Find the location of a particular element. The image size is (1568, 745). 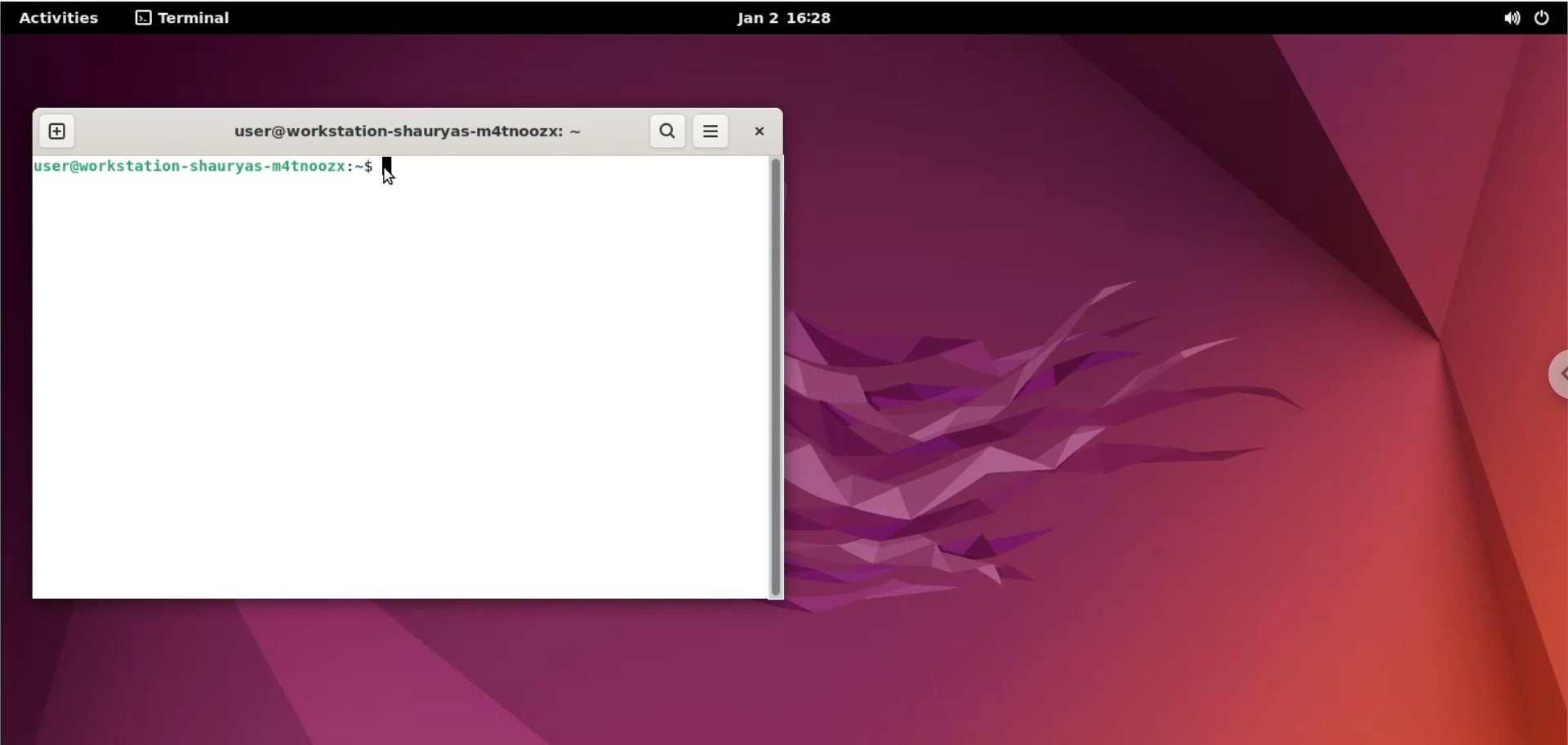

user@workstation-shauryas-m4tnoozx: ~ is located at coordinates (405, 131).